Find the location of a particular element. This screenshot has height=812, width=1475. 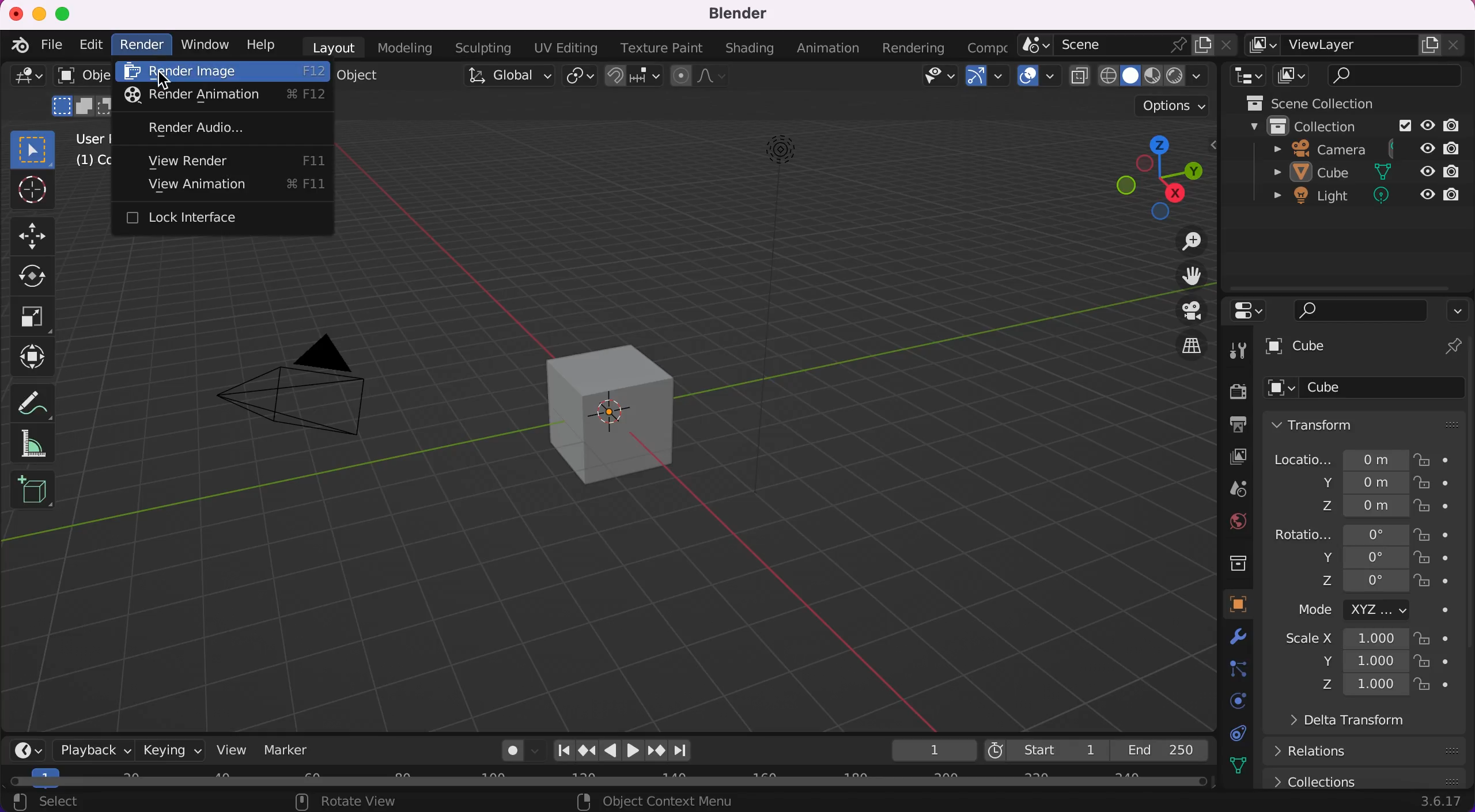

view render is located at coordinates (178, 162).